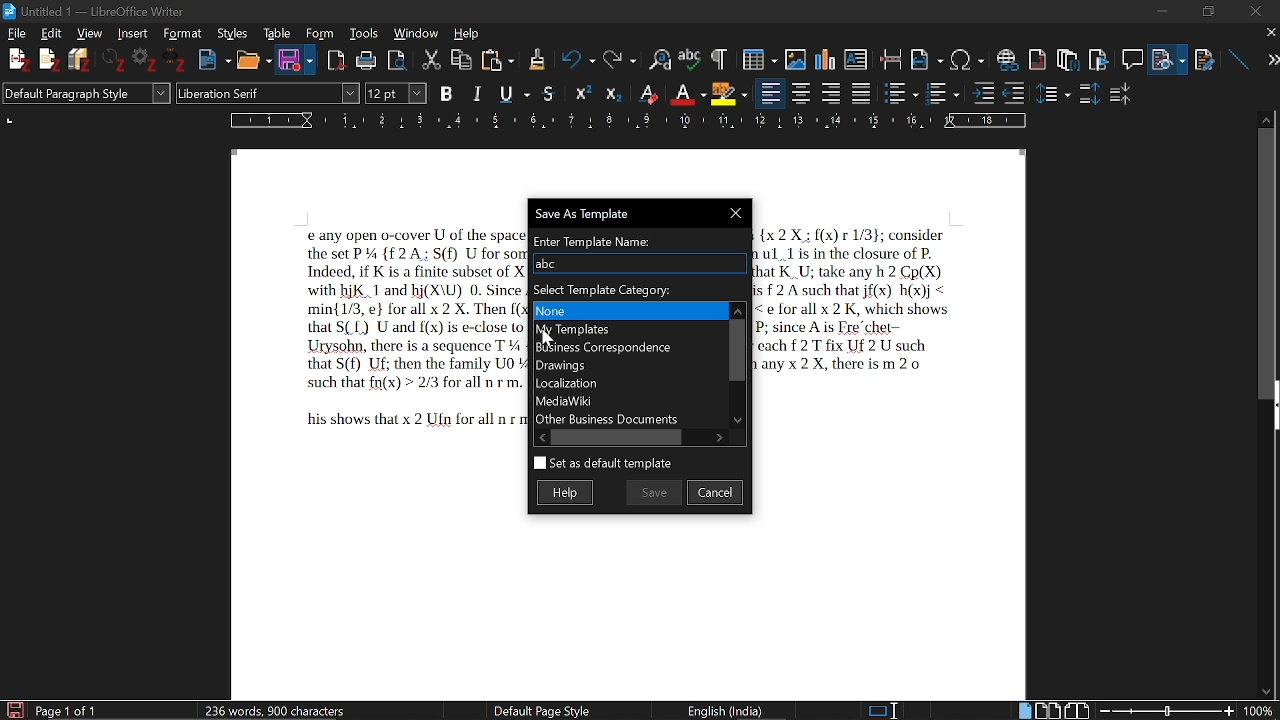 This screenshot has width=1280, height=720. What do you see at coordinates (1088, 93) in the screenshot?
I see `increase paragraph space` at bounding box center [1088, 93].